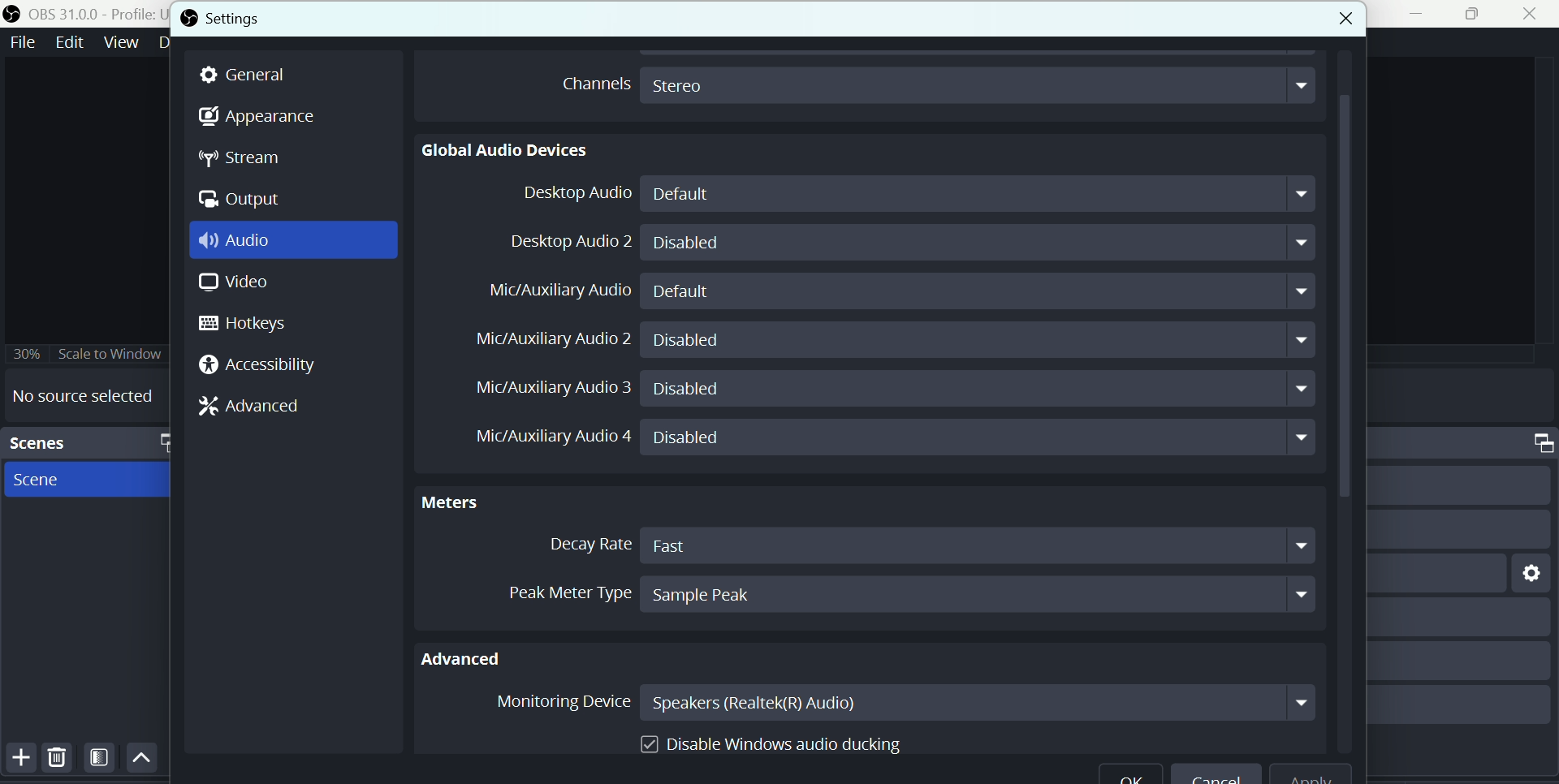 The height and width of the screenshot is (784, 1559). What do you see at coordinates (14, 13) in the screenshot?
I see `OBS logo` at bounding box center [14, 13].